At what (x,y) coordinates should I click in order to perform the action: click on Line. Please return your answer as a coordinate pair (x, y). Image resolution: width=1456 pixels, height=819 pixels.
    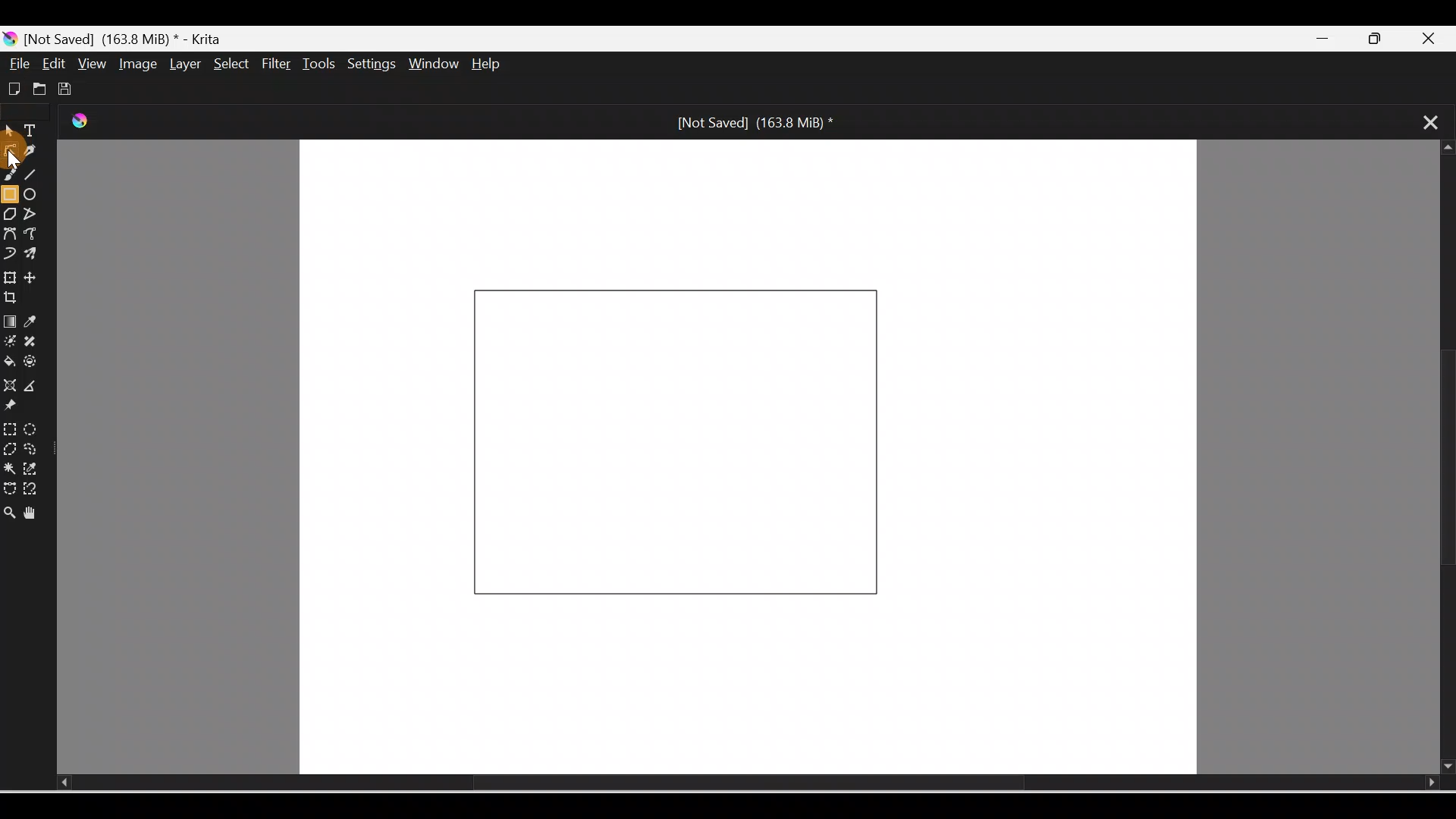
    Looking at the image, I should click on (36, 177).